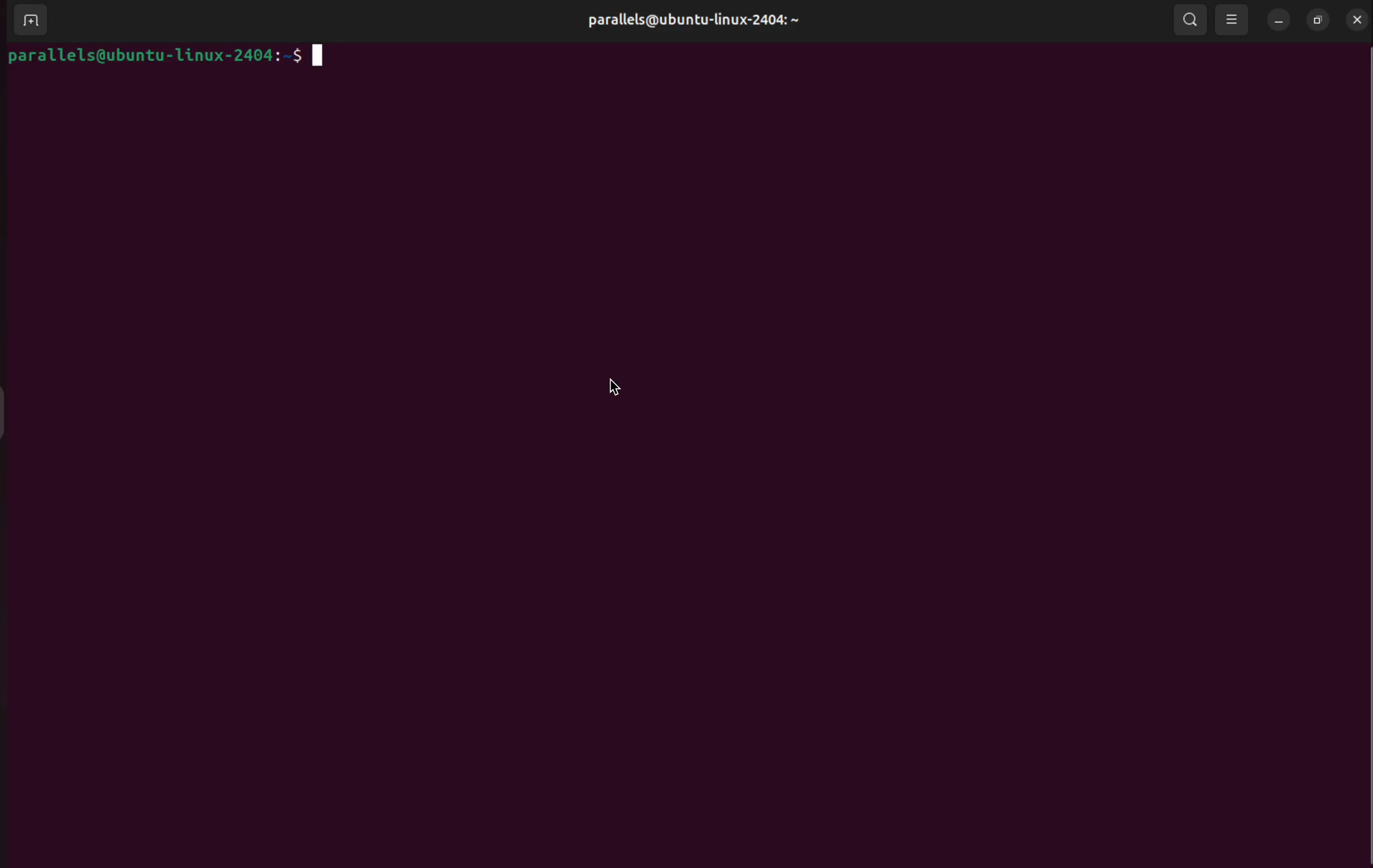 Image resolution: width=1373 pixels, height=868 pixels. Describe the element at coordinates (1279, 22) in the screenshot. I see `minimize` at that location.